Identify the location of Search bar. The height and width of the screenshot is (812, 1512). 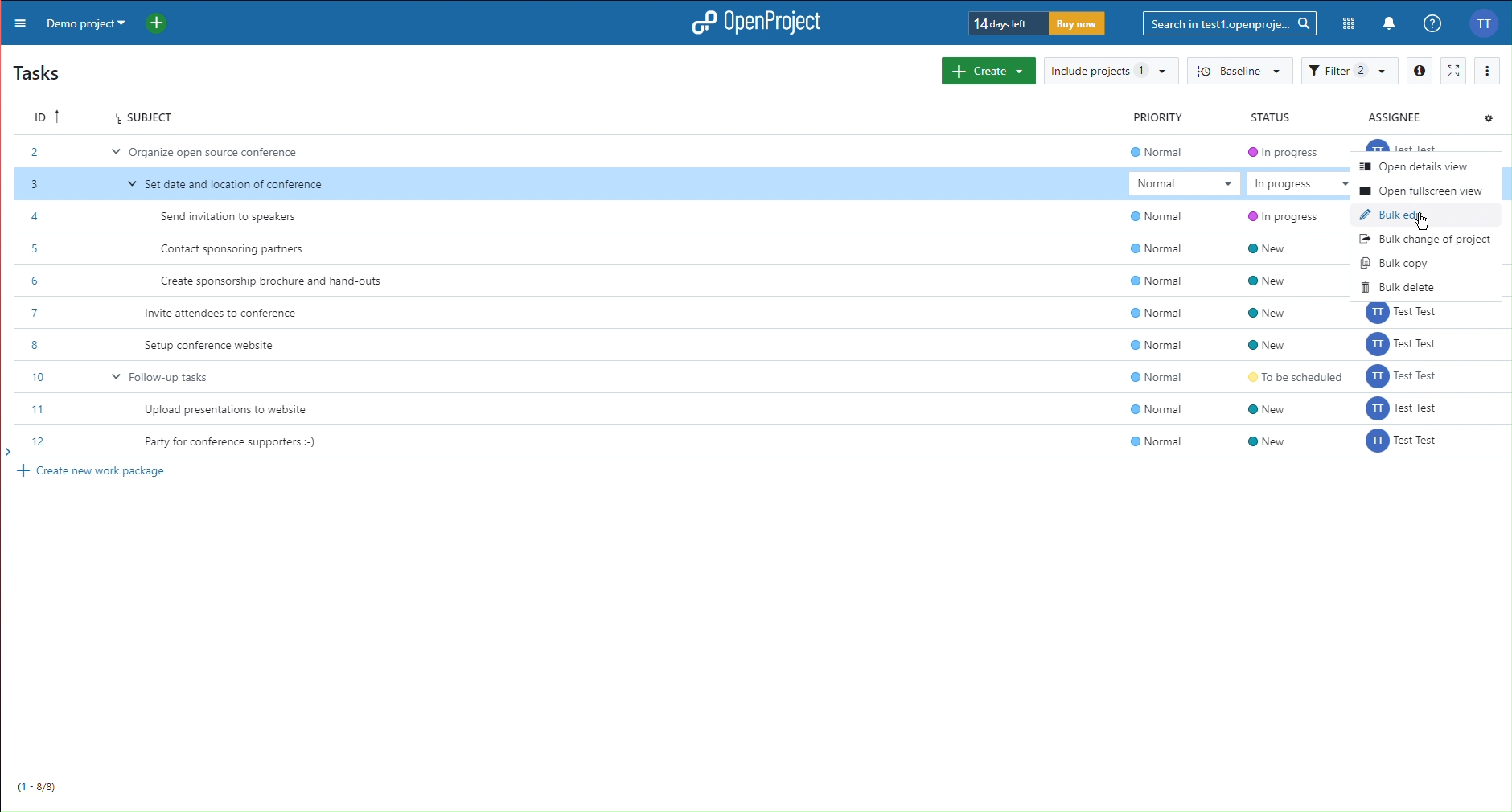
(1231, 23).